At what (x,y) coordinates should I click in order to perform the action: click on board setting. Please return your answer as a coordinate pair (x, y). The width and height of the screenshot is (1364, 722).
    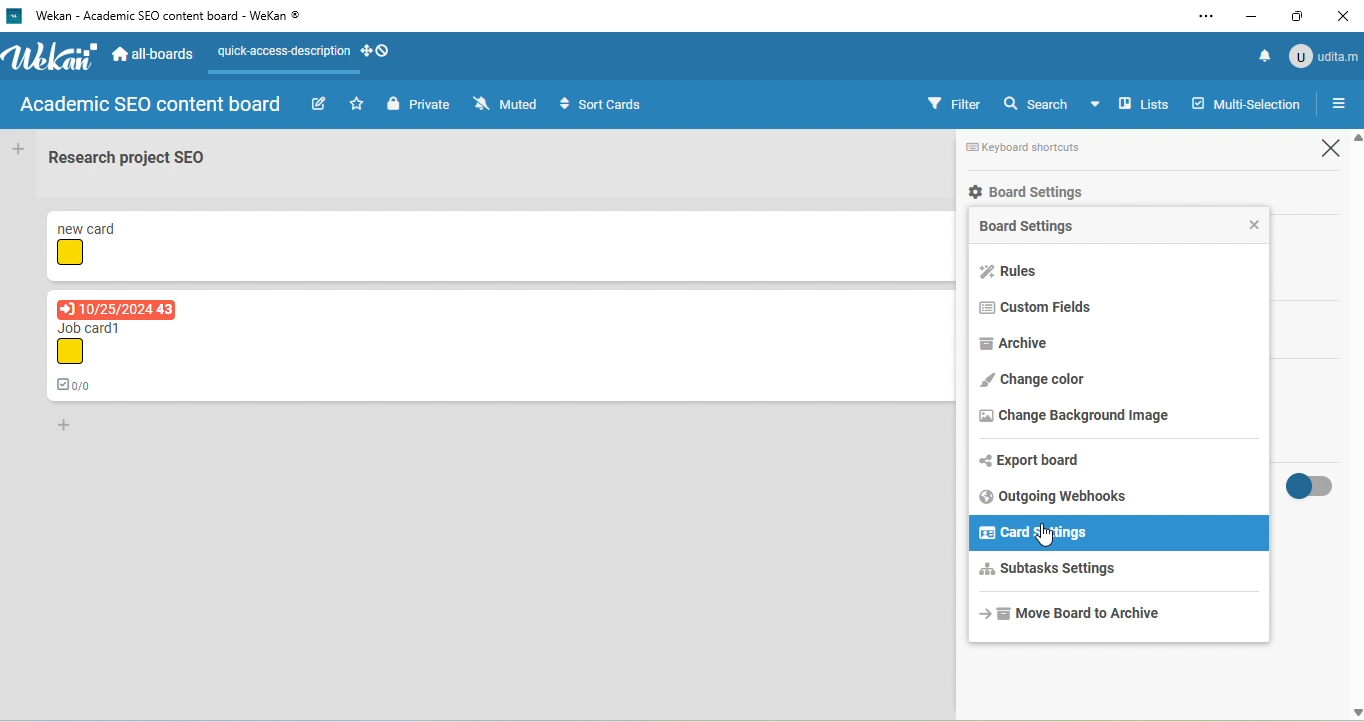
    Looking at the image, I should click on (1036, 230).